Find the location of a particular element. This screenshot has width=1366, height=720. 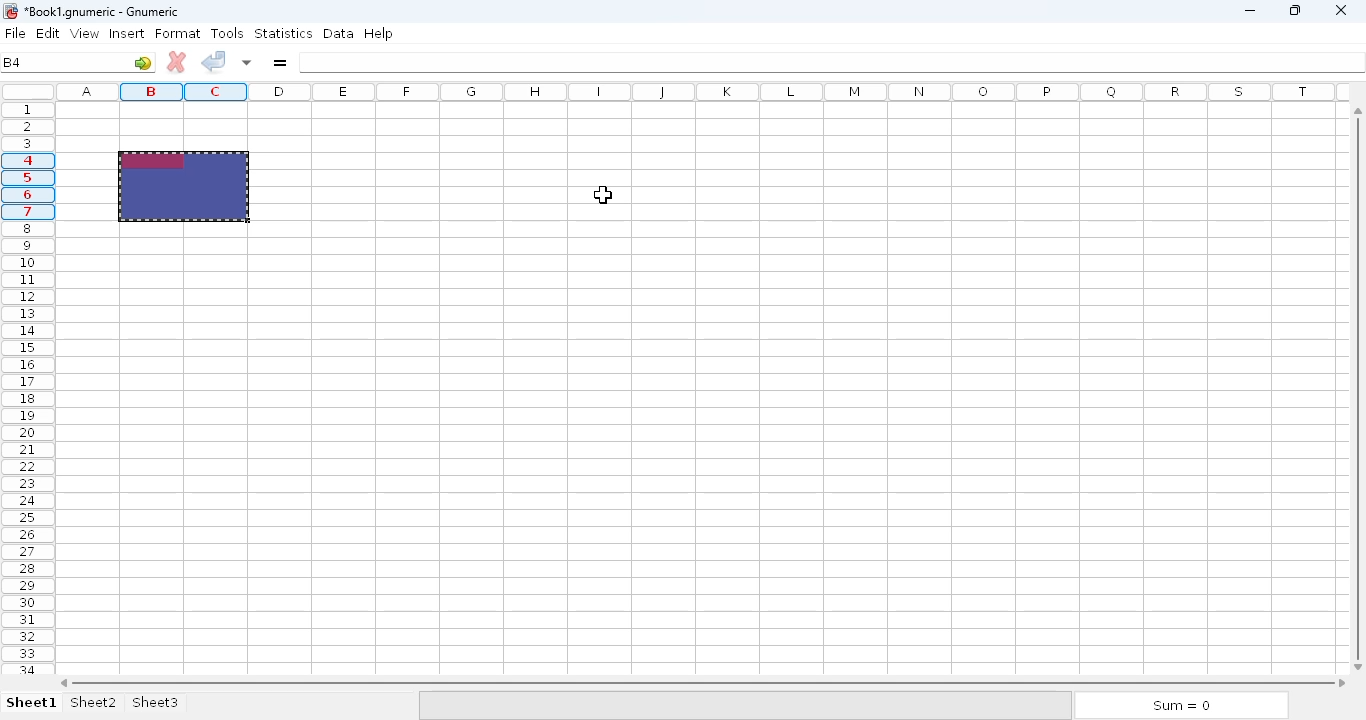

cursor is located at coordinates (604, 195).